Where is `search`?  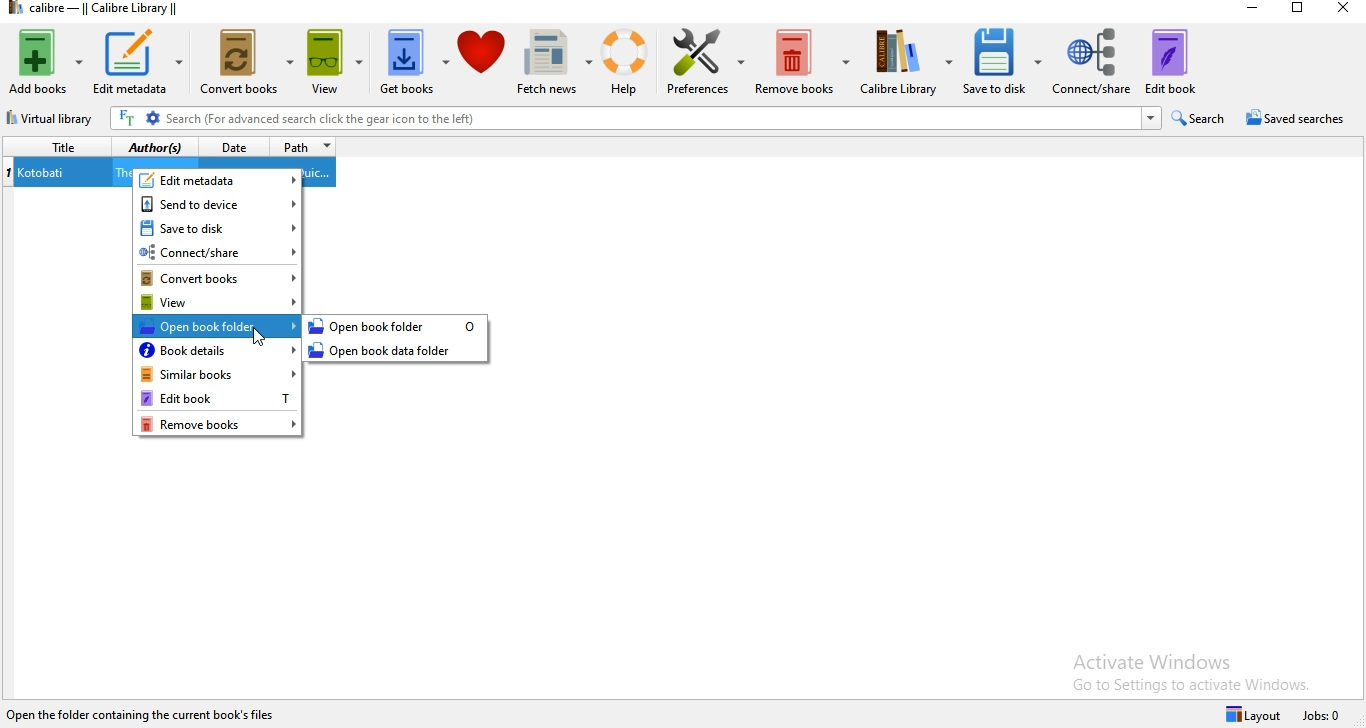 search is located at coordinates (1198, 118).